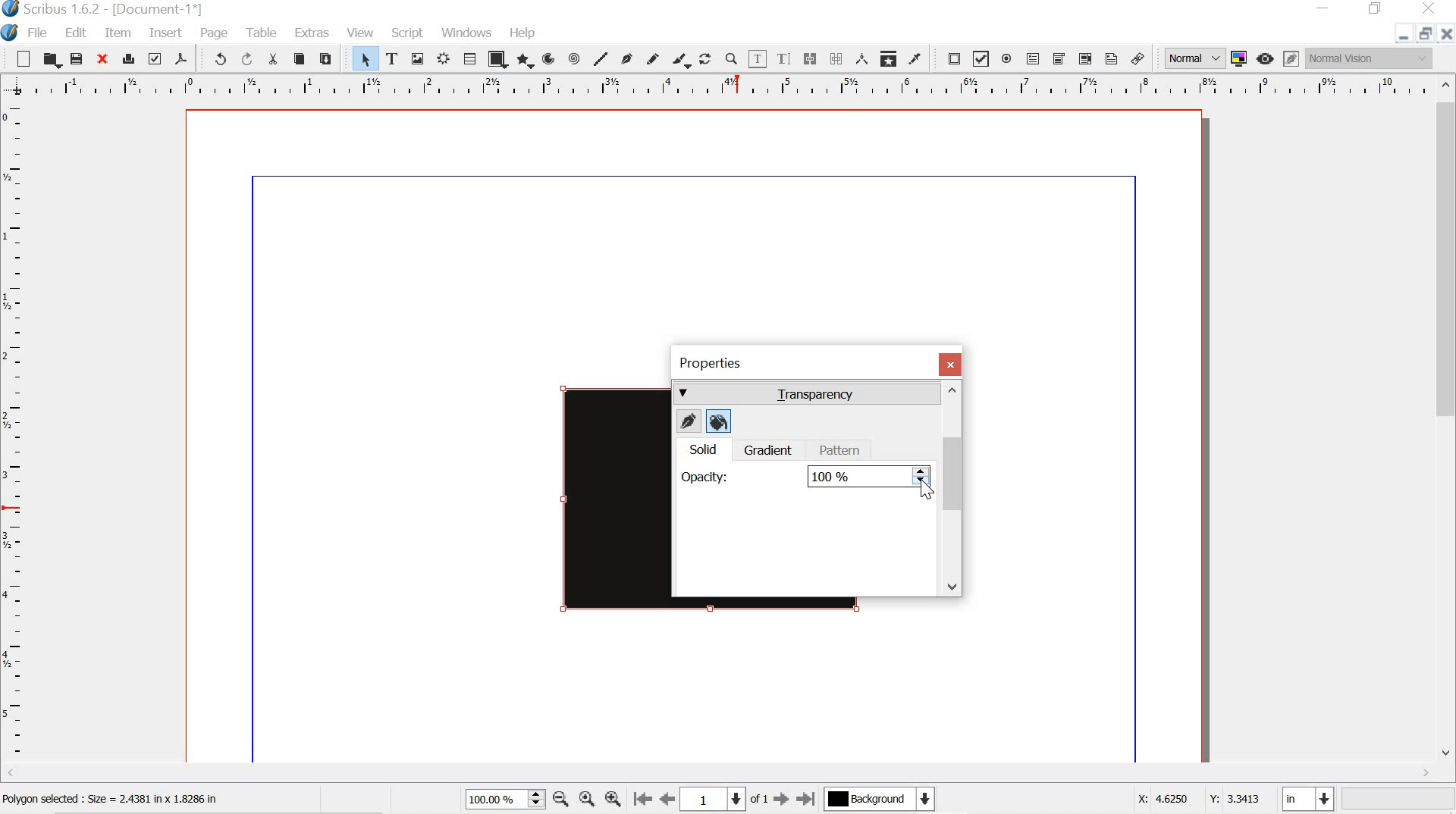 This screenshot has height=814, width=1456. I want to click on shape, so click(497, 59).